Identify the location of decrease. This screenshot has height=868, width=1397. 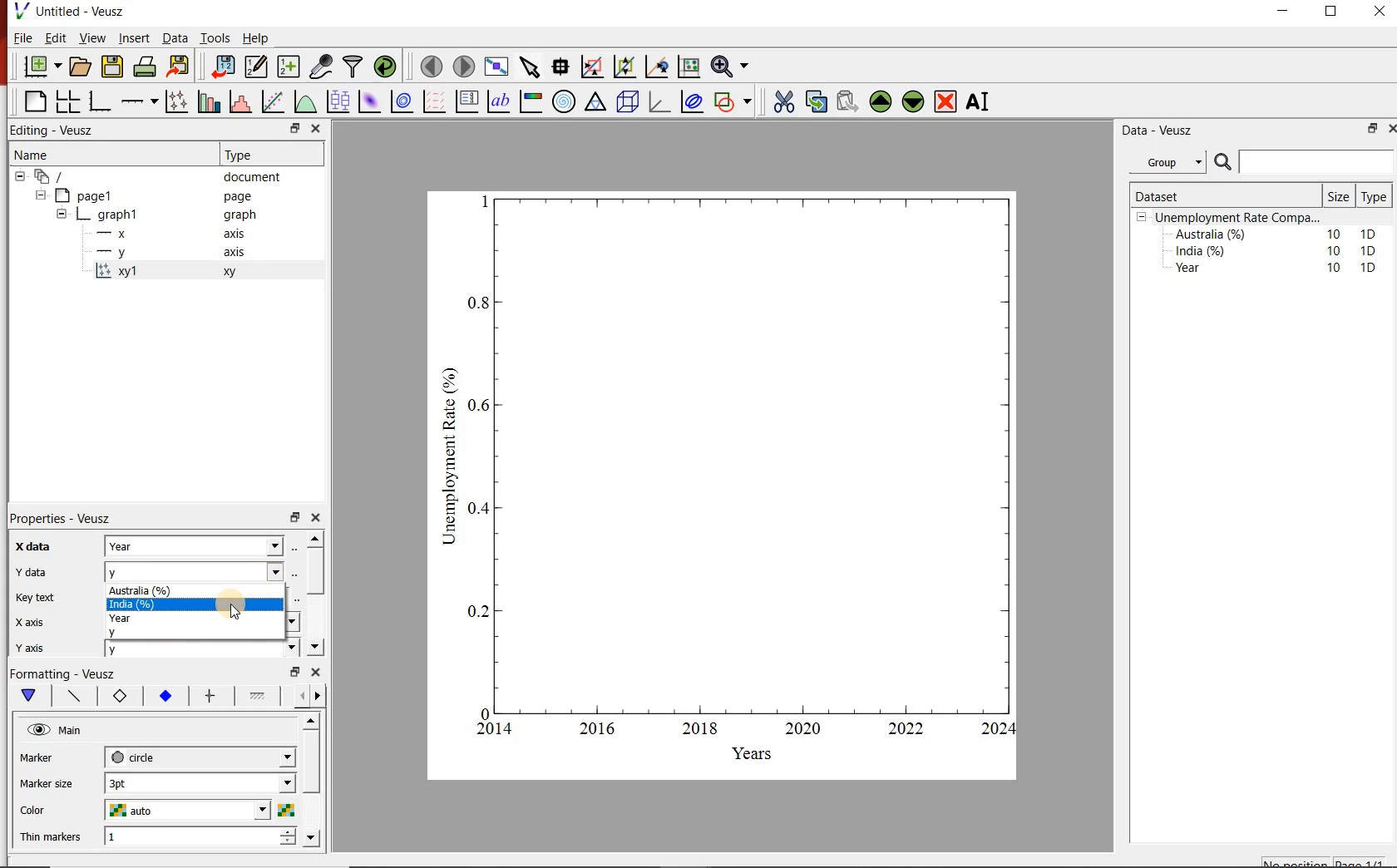
(288, 845).